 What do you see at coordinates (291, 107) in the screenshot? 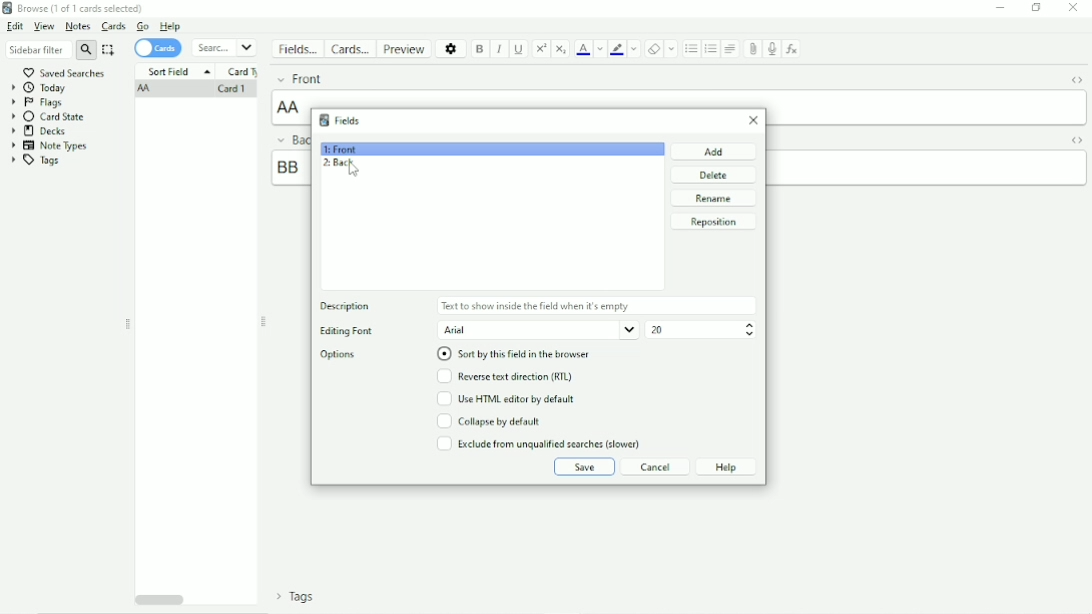
I see `AA` at bounding box center [291, 107].